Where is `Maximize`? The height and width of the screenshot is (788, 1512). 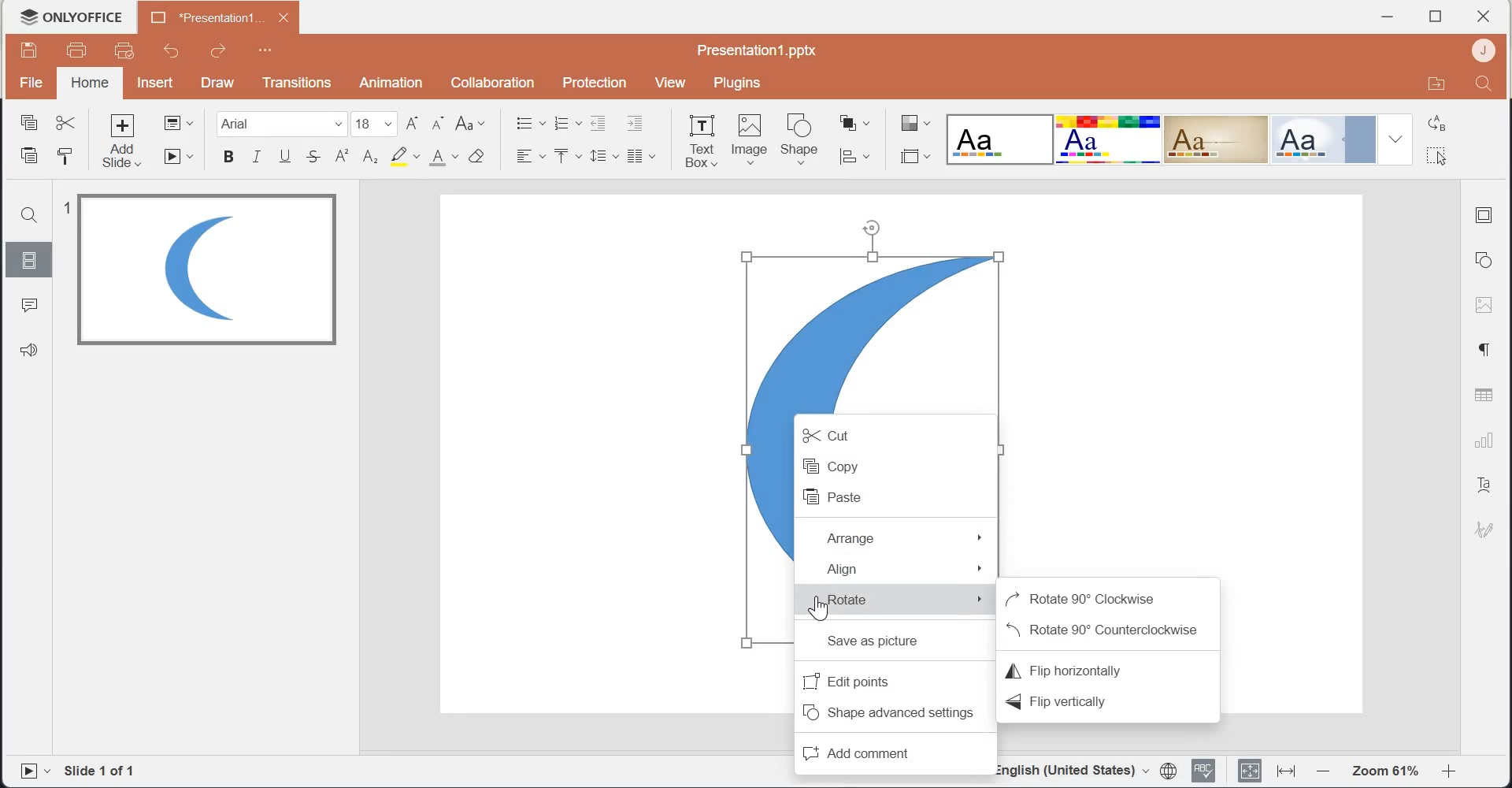
Maximize is located at coordinates (1436, 17).